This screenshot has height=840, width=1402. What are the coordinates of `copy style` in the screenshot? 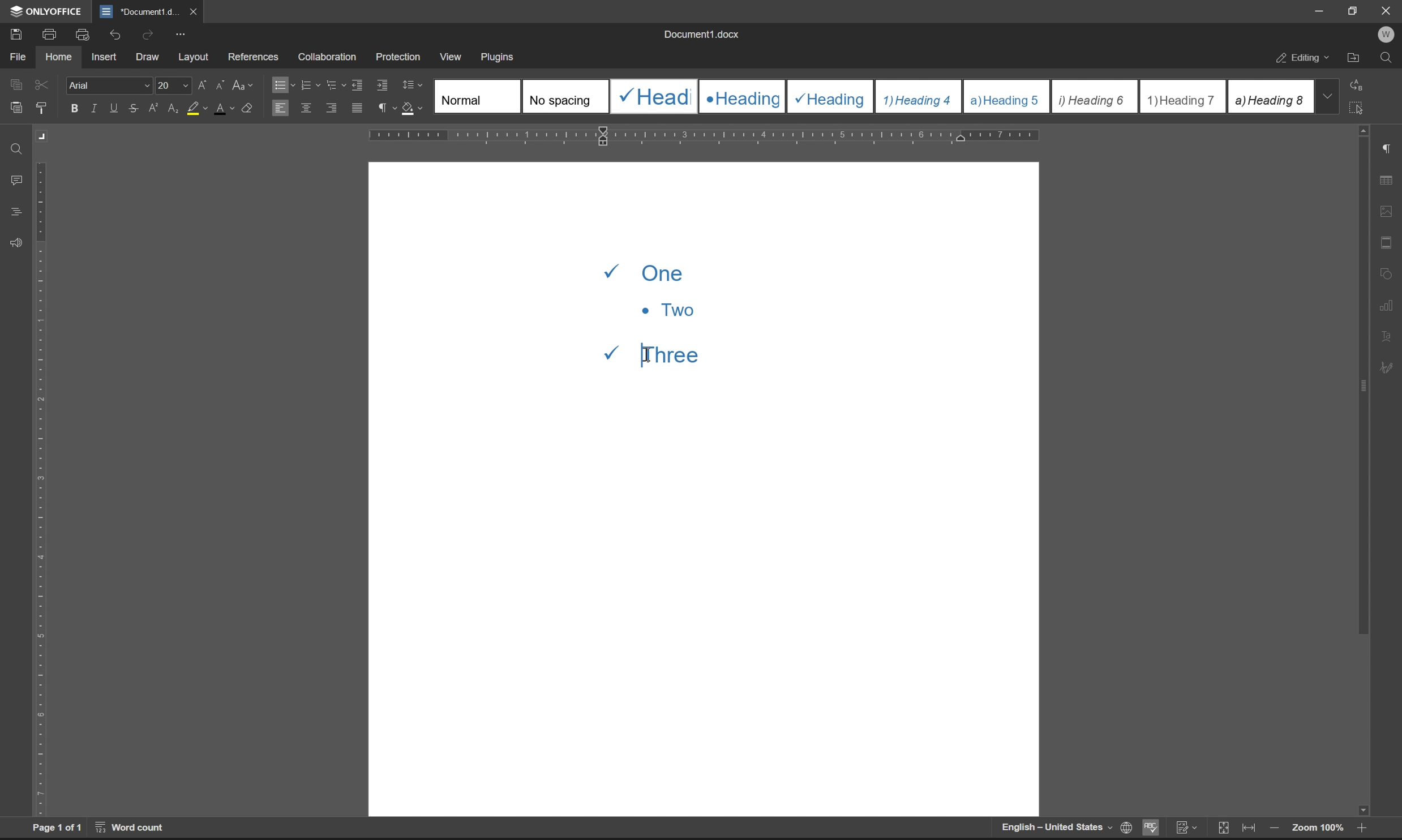 It's located at (41, 109).